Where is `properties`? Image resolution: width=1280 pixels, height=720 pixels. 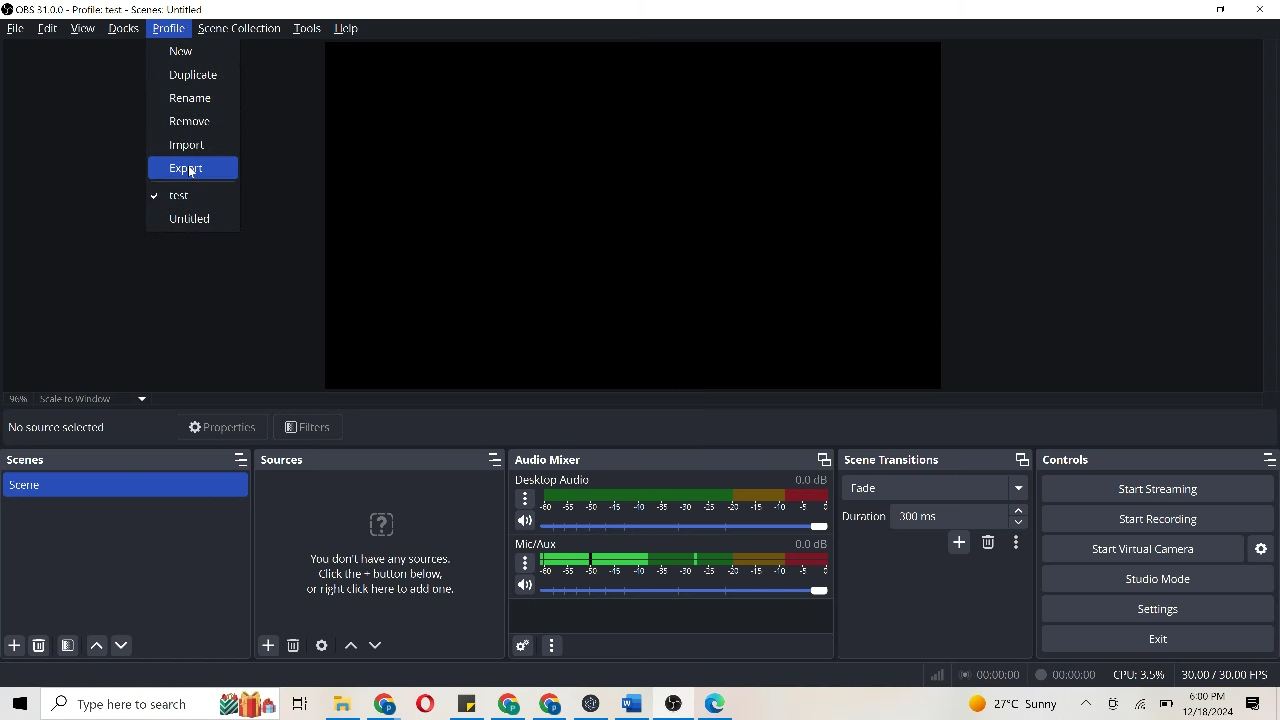 properties is located at coordinates (216, 426).